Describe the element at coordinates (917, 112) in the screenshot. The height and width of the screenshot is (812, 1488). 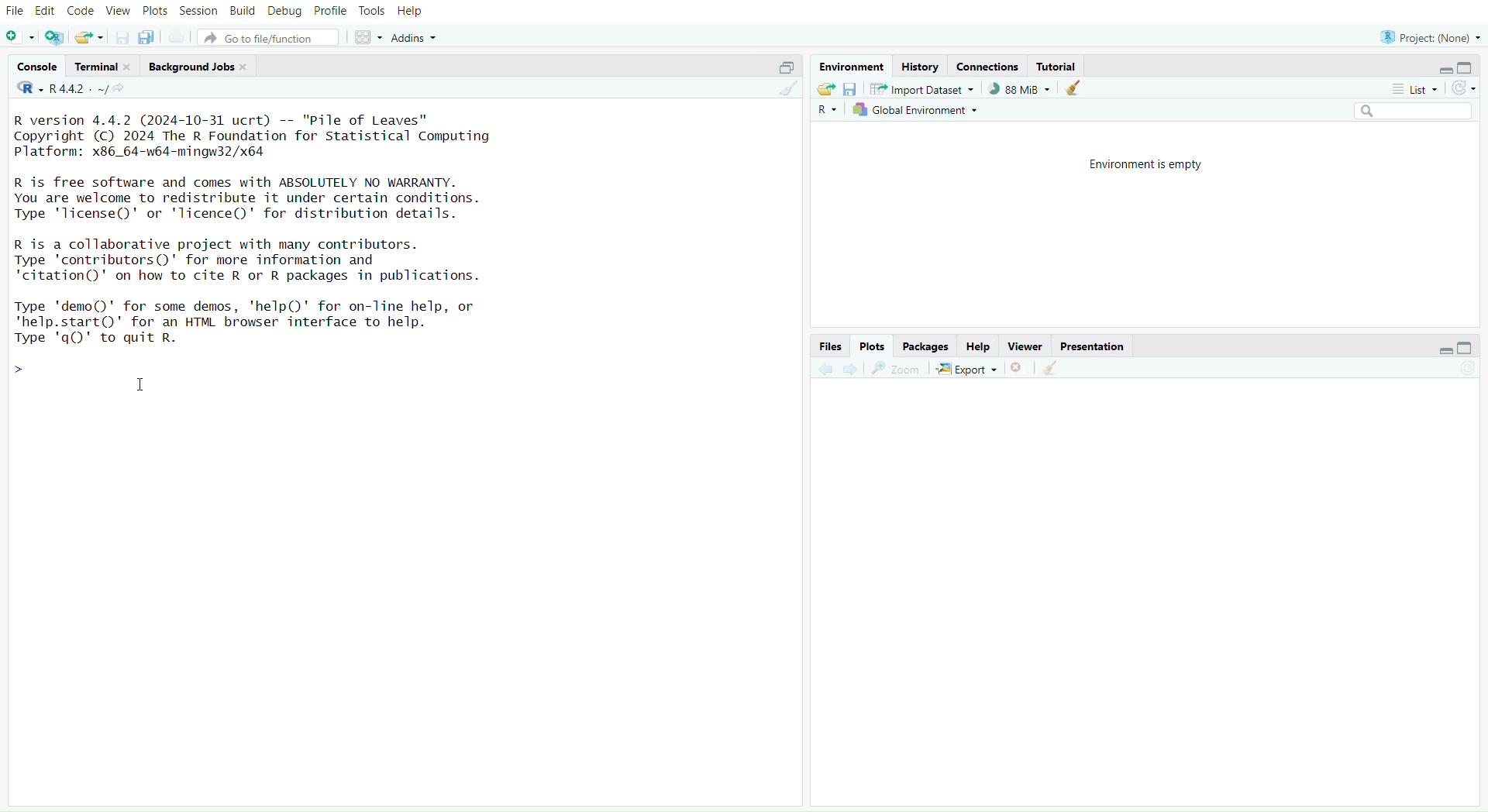
I see `global environment` at that location.